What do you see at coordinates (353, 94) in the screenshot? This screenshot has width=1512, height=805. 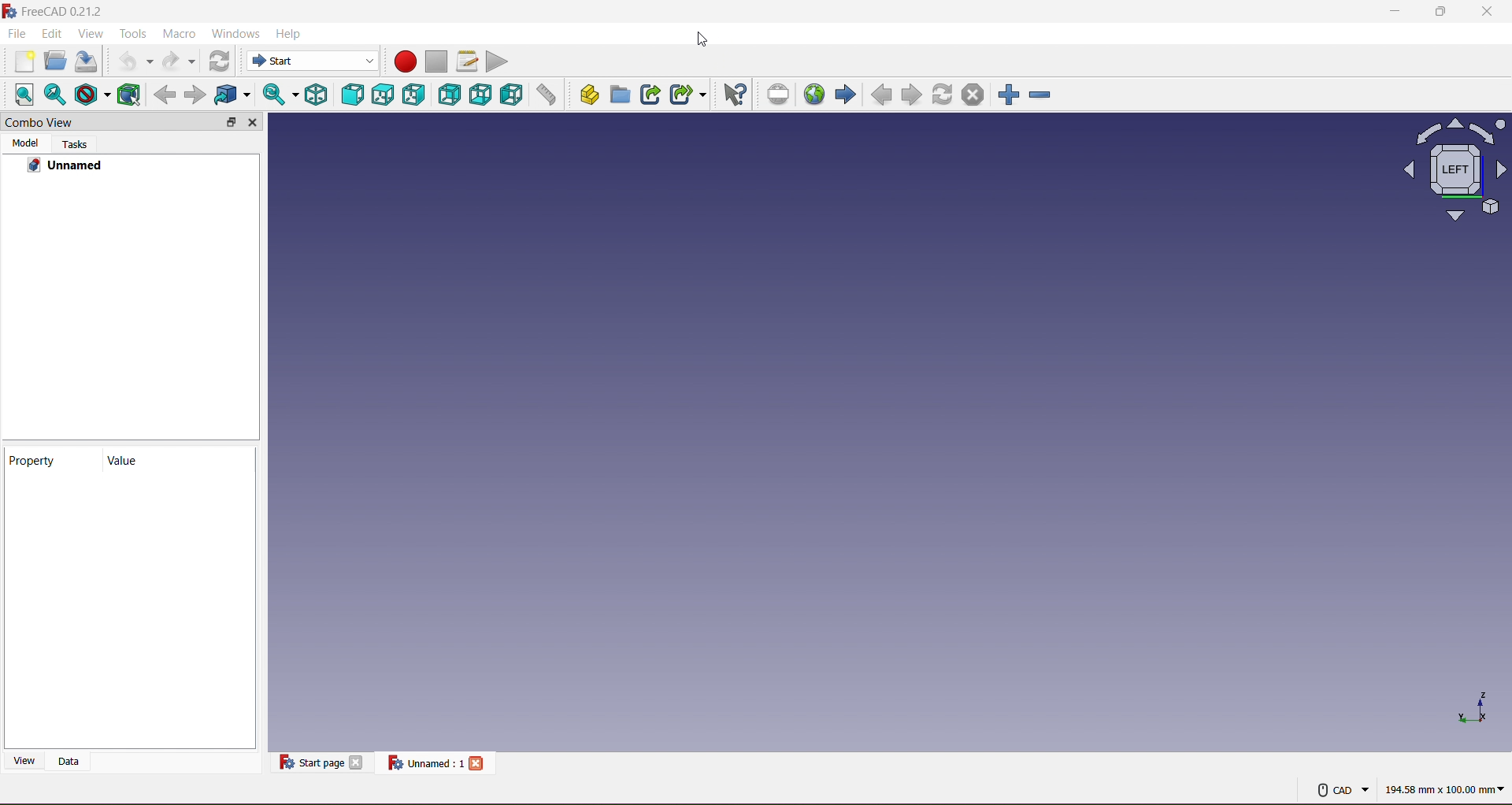 I see `Front` at bounding box center [353, 94].